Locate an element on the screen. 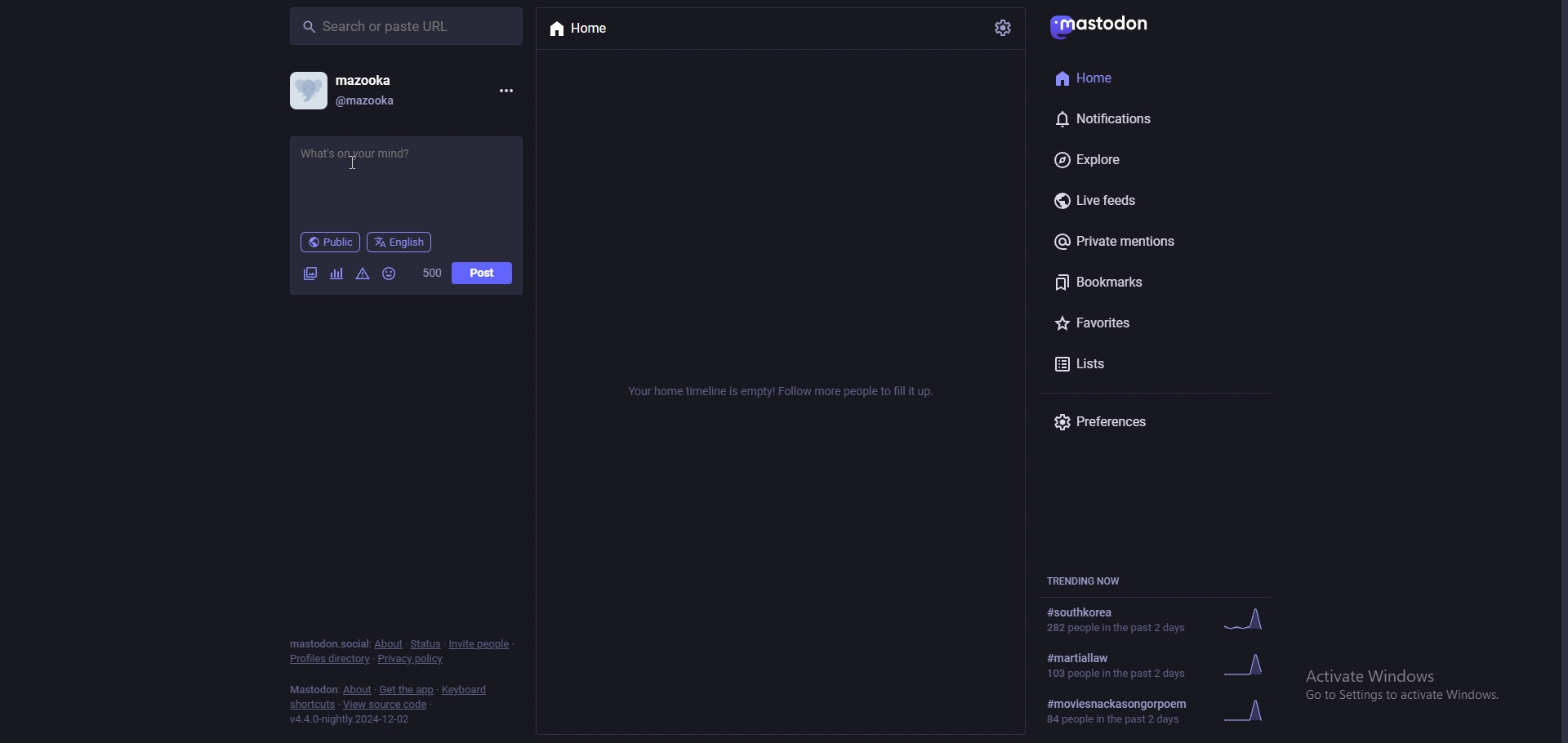  explore is located at coordinates (1137, 158).